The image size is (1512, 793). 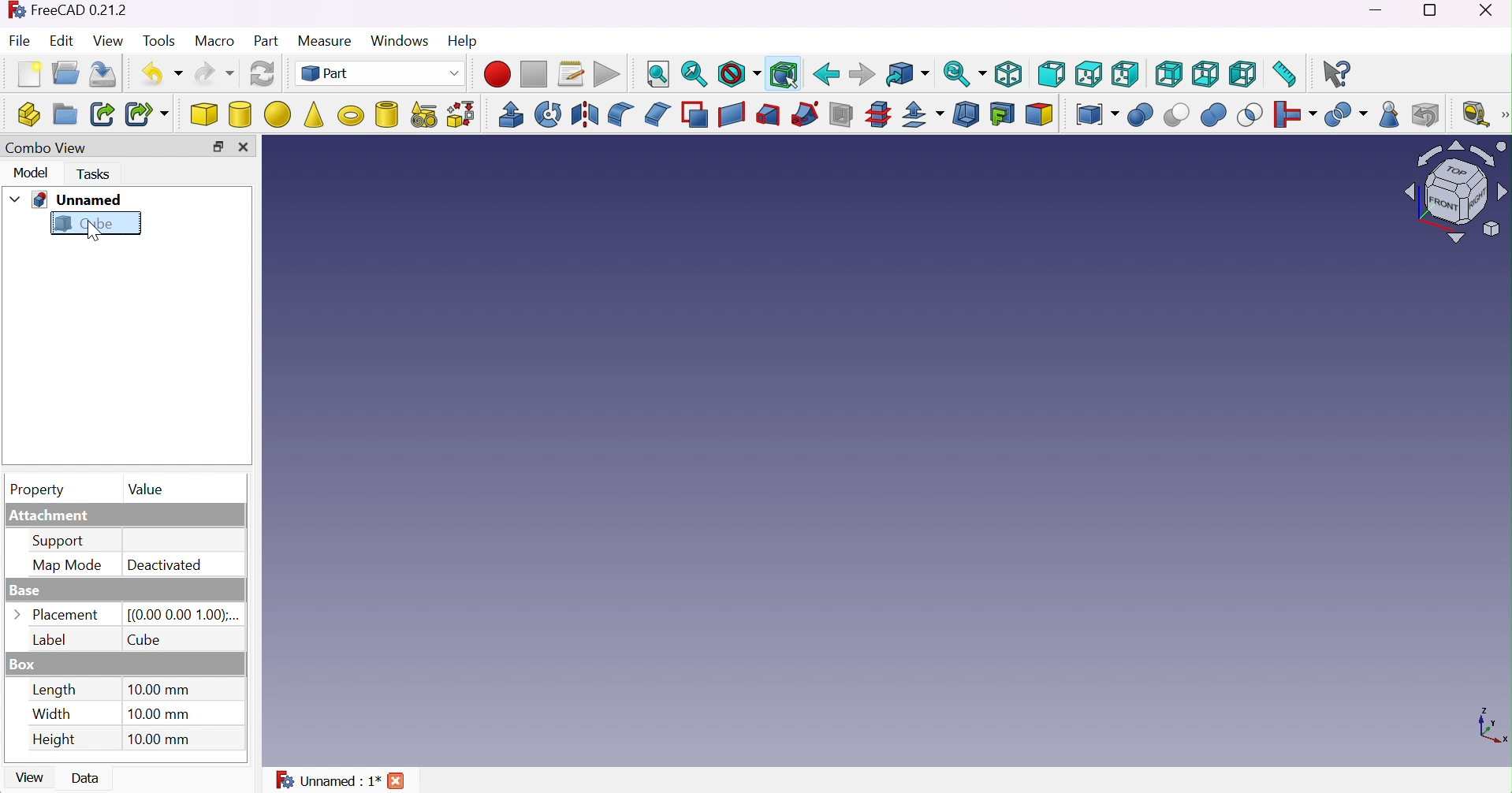 I want to click on Left, so click(x=1243, y=75).